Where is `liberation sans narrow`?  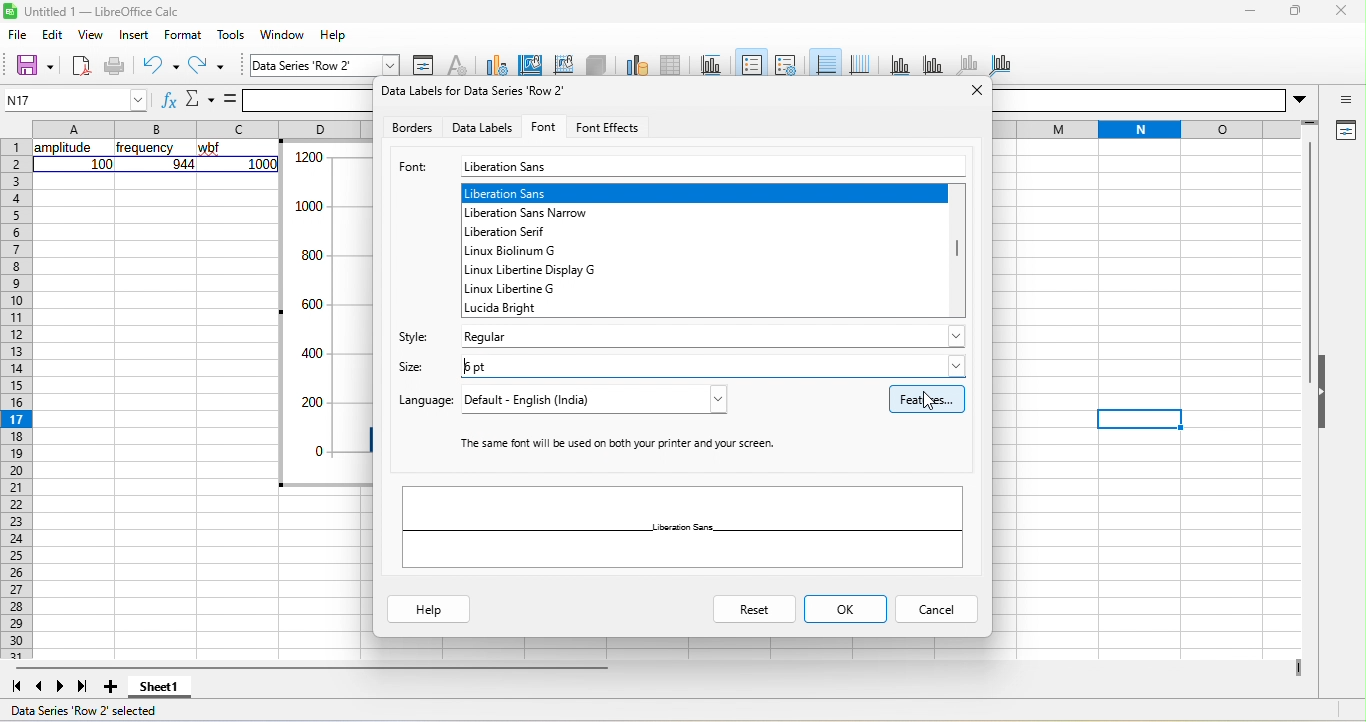 liberation sans narrow is located at coordinates (537, 212).